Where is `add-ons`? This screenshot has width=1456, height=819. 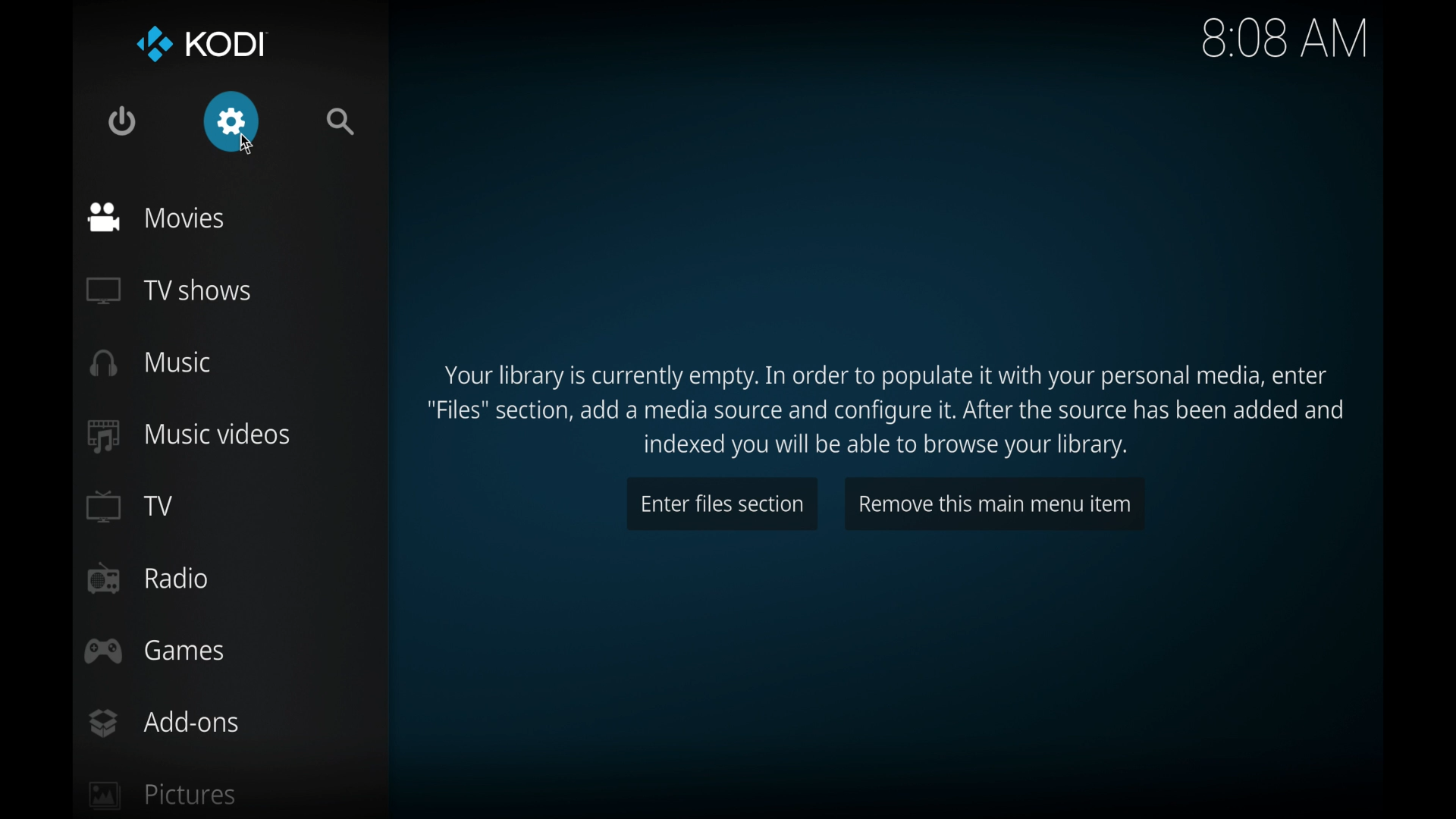 add-ons is located at coordinates (165, 723).